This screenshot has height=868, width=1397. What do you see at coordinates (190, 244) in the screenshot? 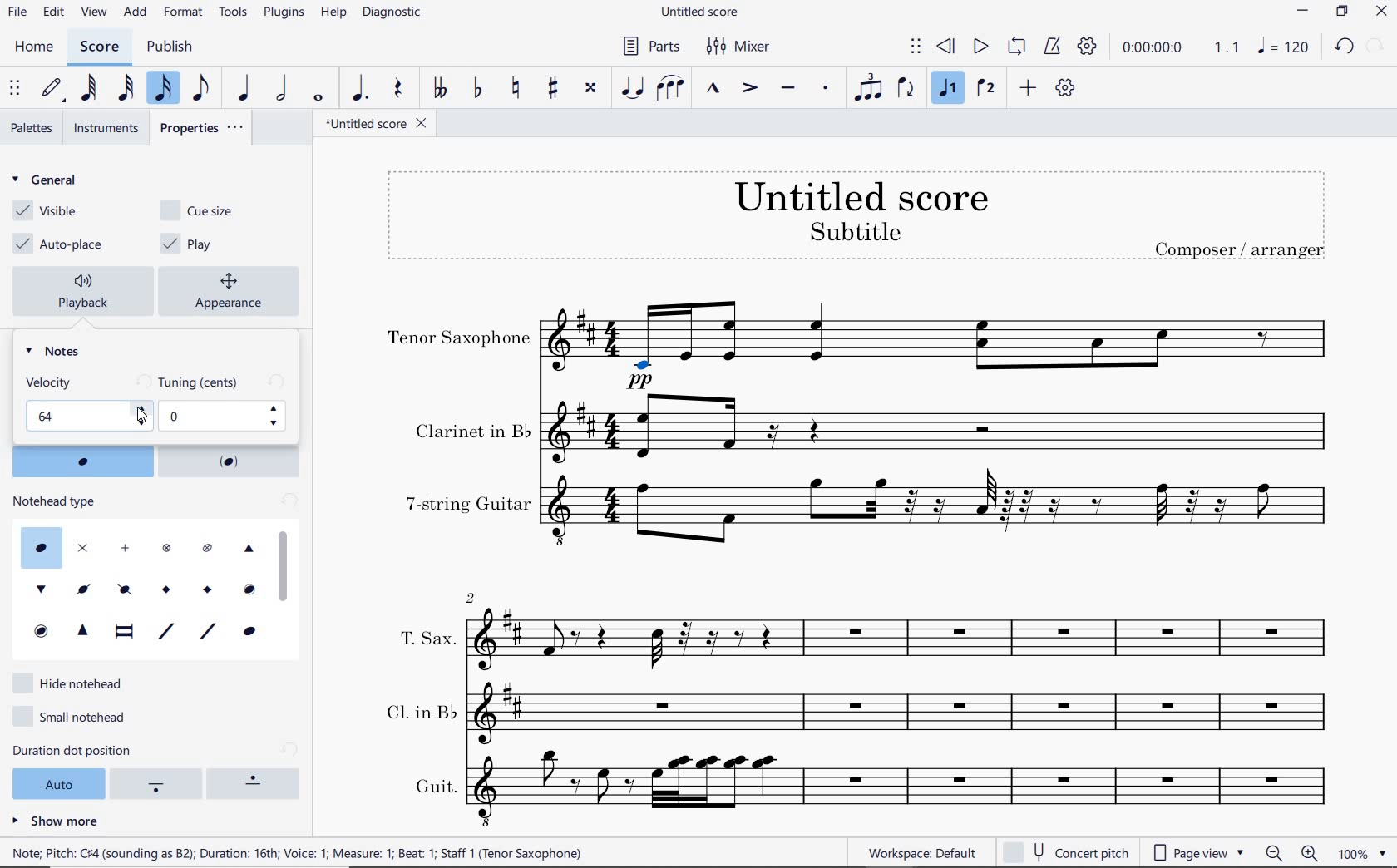
I see `play` at bounding box center [190, 244].